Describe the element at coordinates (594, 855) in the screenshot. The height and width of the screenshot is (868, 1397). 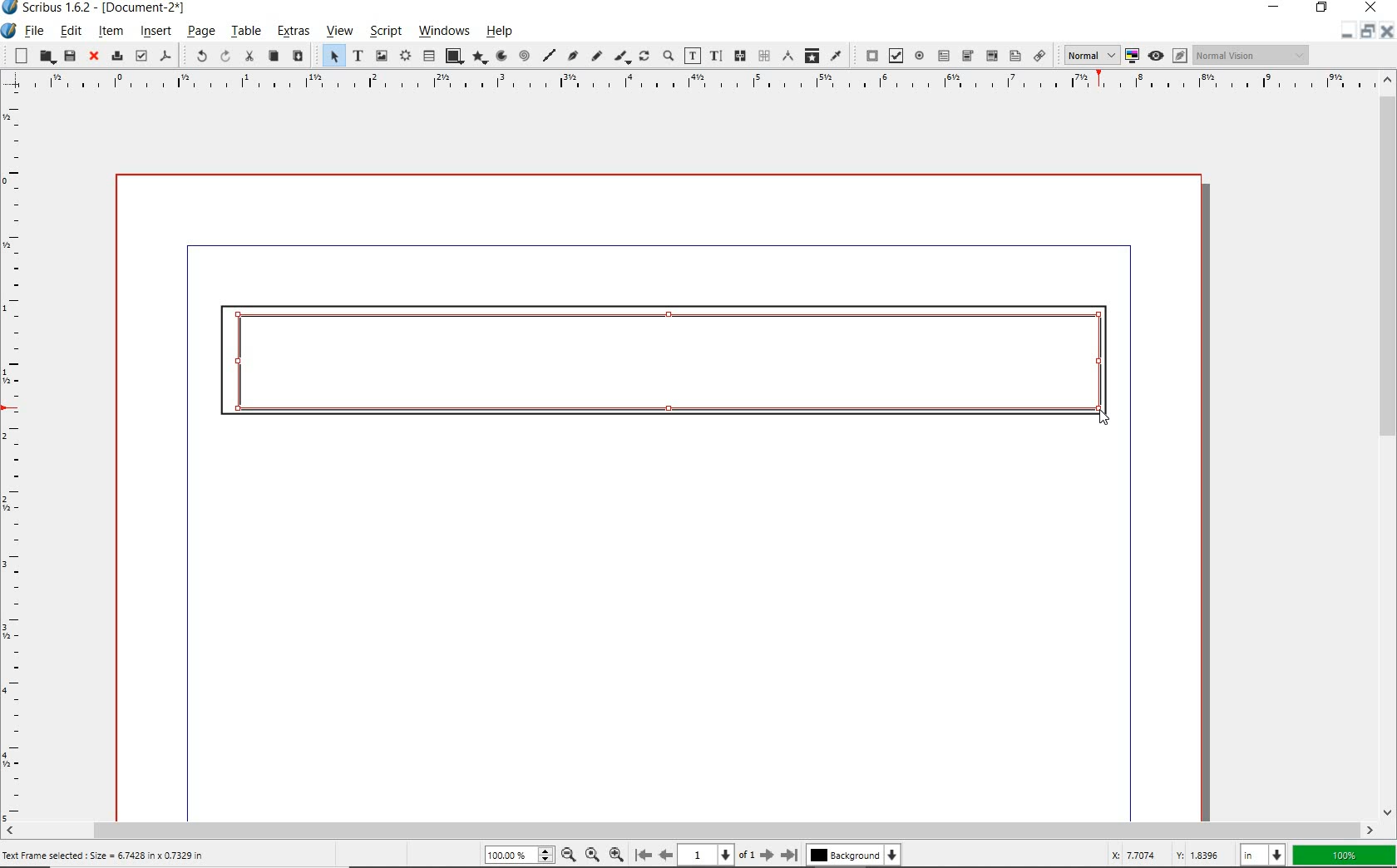
I see `zoom to` at that location.